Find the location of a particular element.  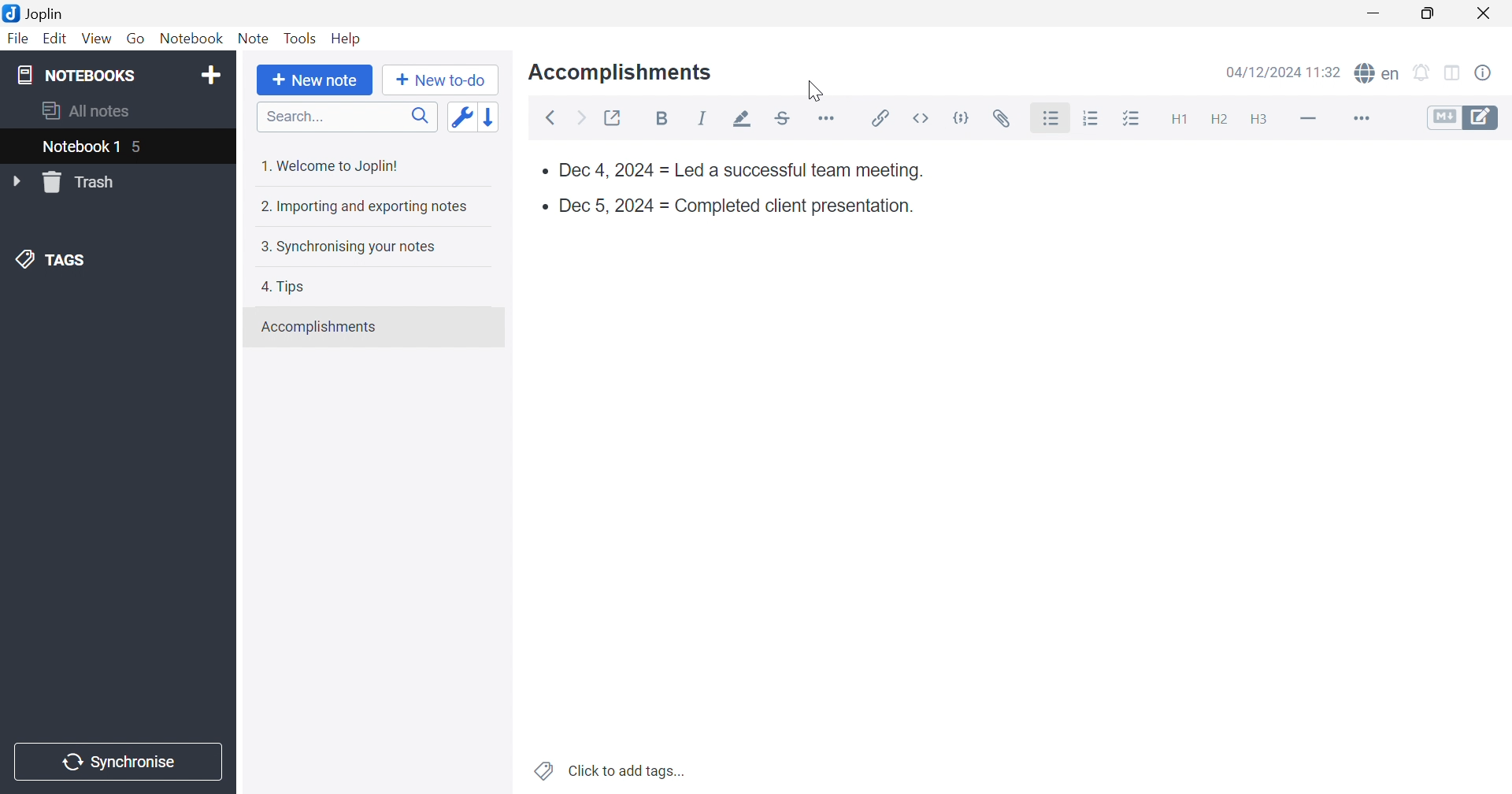

Strikethrough is located at coordinates (782, 121).